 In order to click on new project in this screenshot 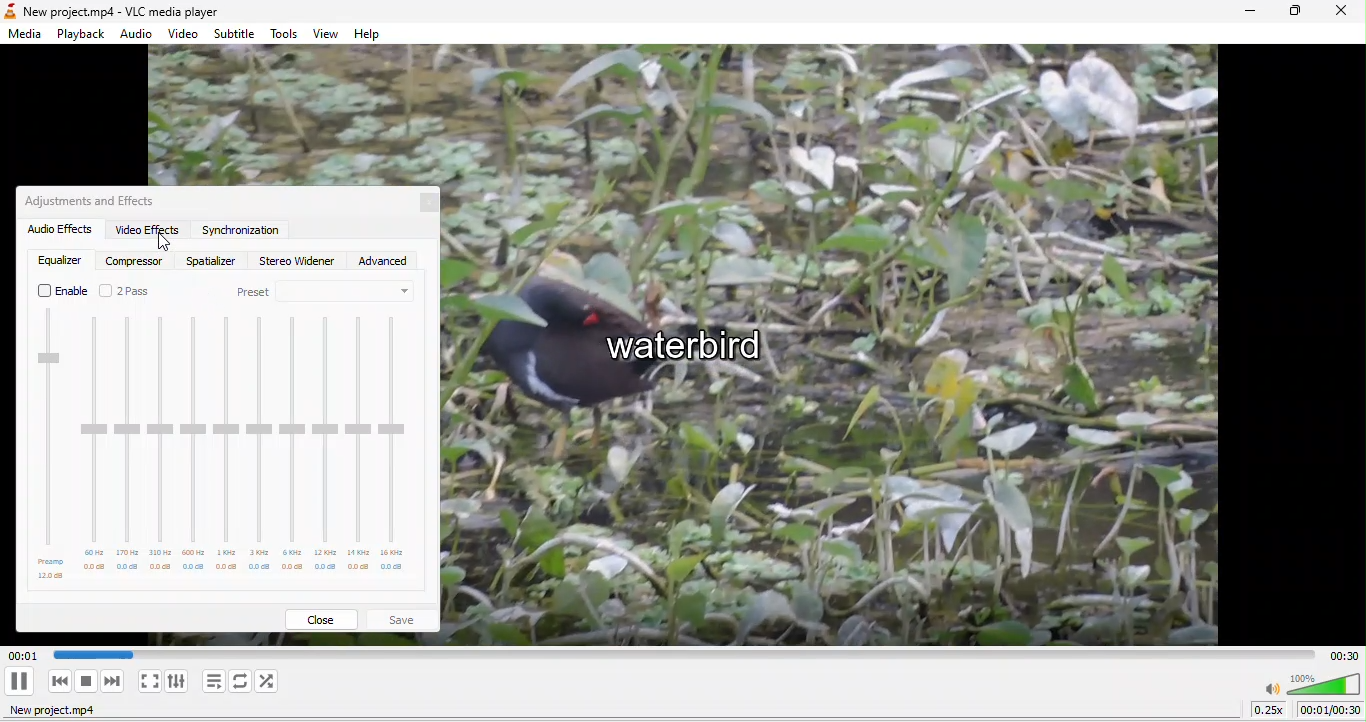, I will do `click(63, 712)`.